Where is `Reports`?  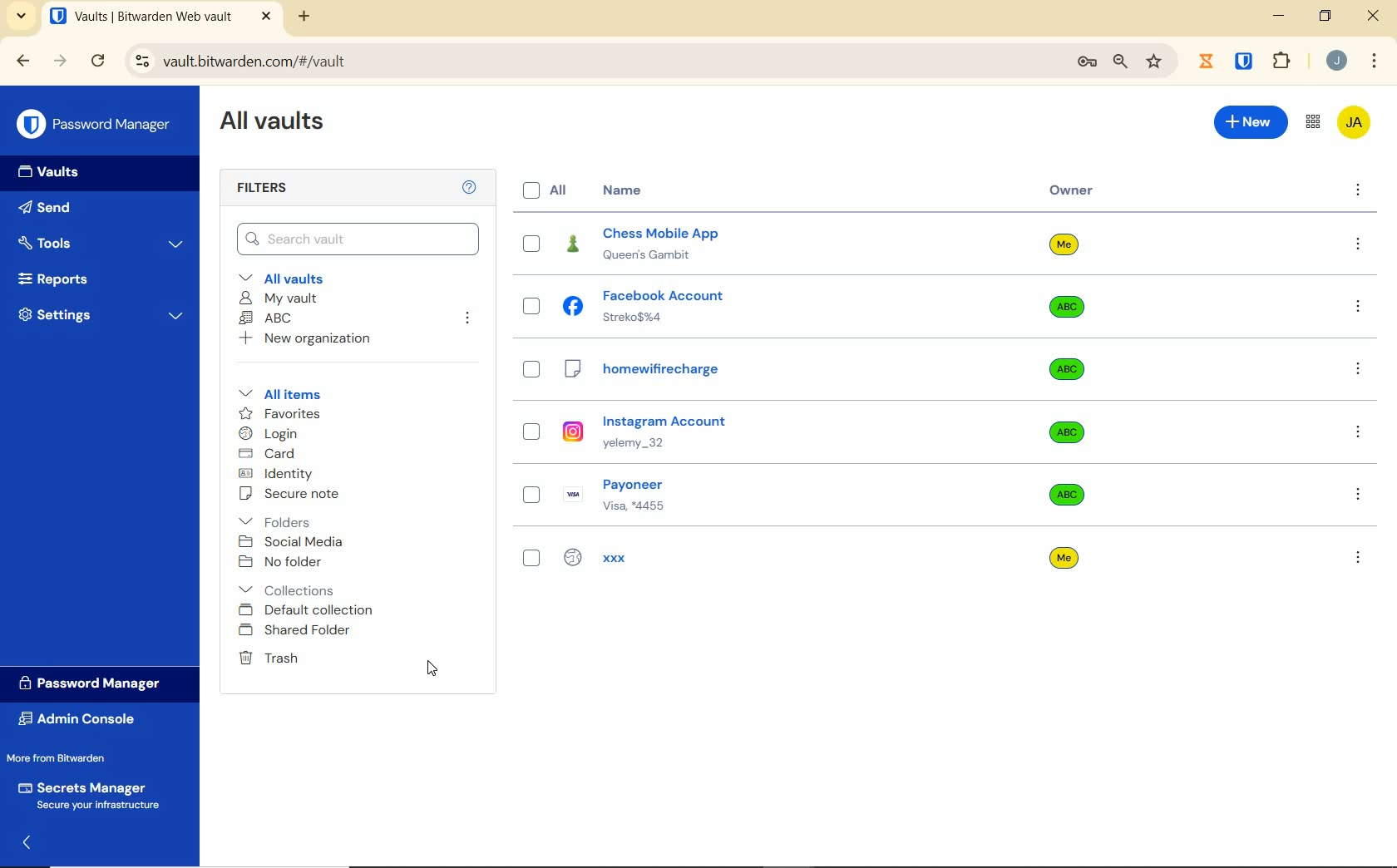
Reports is located at coordinates (63, 278).